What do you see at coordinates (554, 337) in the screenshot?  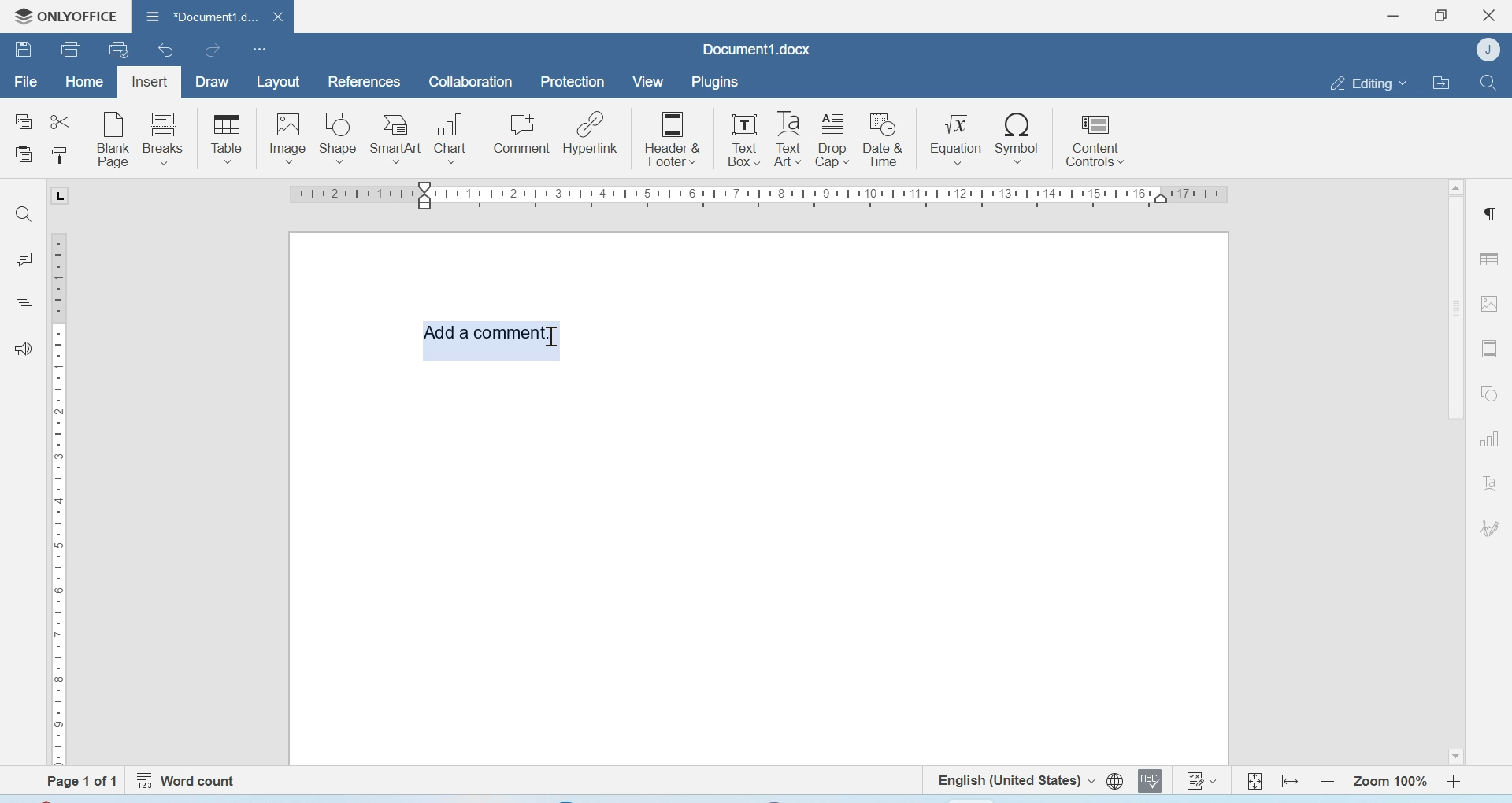 I see `Cursor` at bounding box center [554, 337].